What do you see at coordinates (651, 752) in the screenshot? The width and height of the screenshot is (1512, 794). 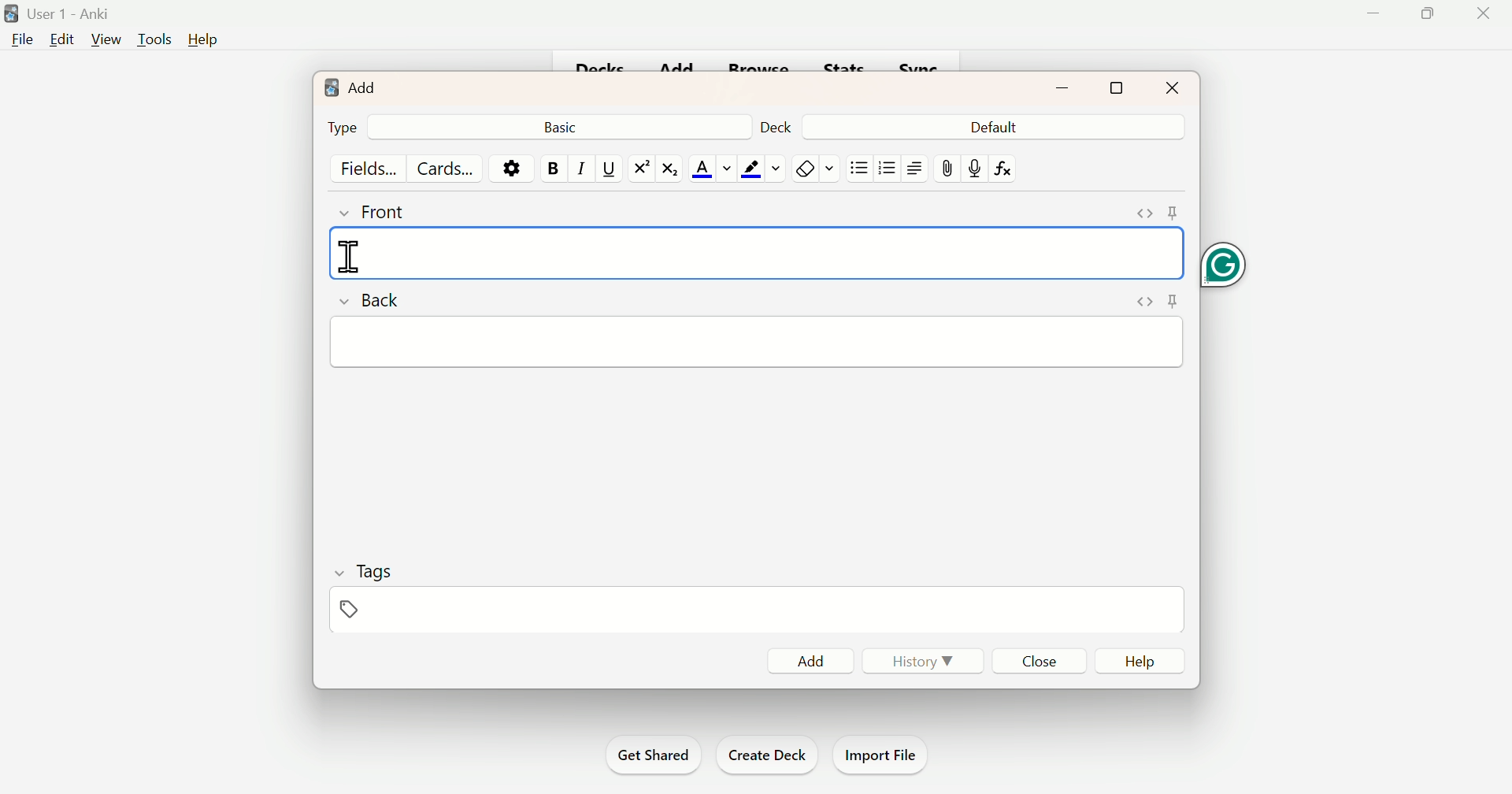 I see `Get Shared` at bounding box center [651, 752].